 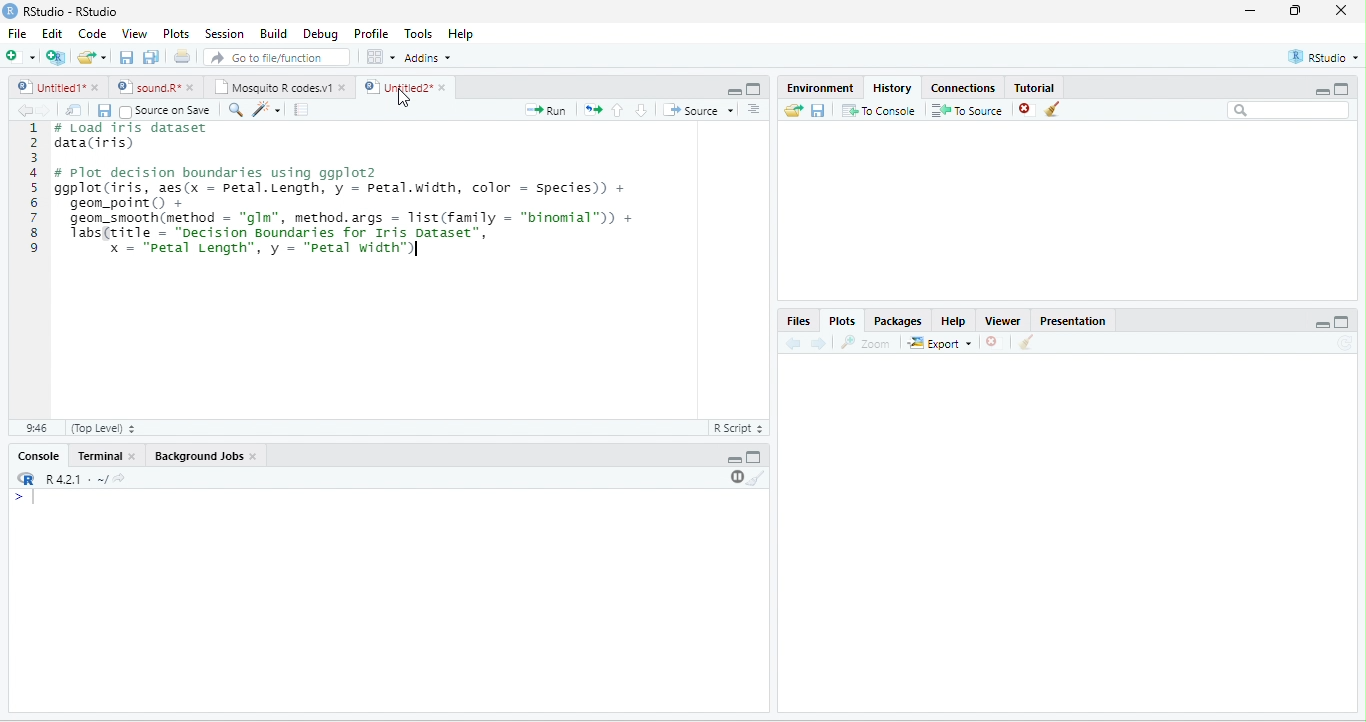 What do you see at coordinates (735, 460) in the screenshot?
I see `minimize` at bounding box center [735, 460].